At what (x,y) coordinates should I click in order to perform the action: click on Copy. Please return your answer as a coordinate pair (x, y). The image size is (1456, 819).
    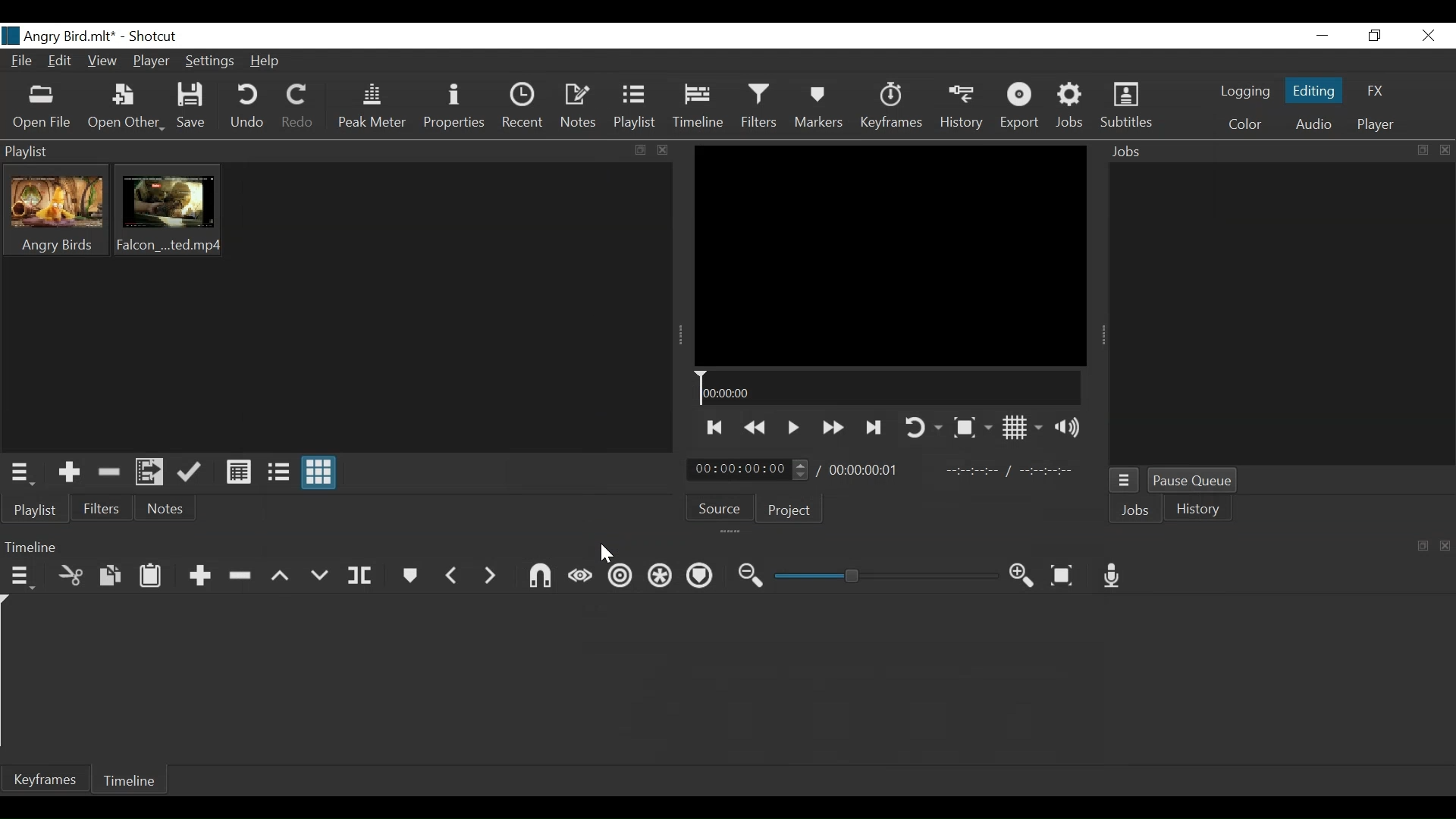
    Looking at the image, I should click on (111, 578).